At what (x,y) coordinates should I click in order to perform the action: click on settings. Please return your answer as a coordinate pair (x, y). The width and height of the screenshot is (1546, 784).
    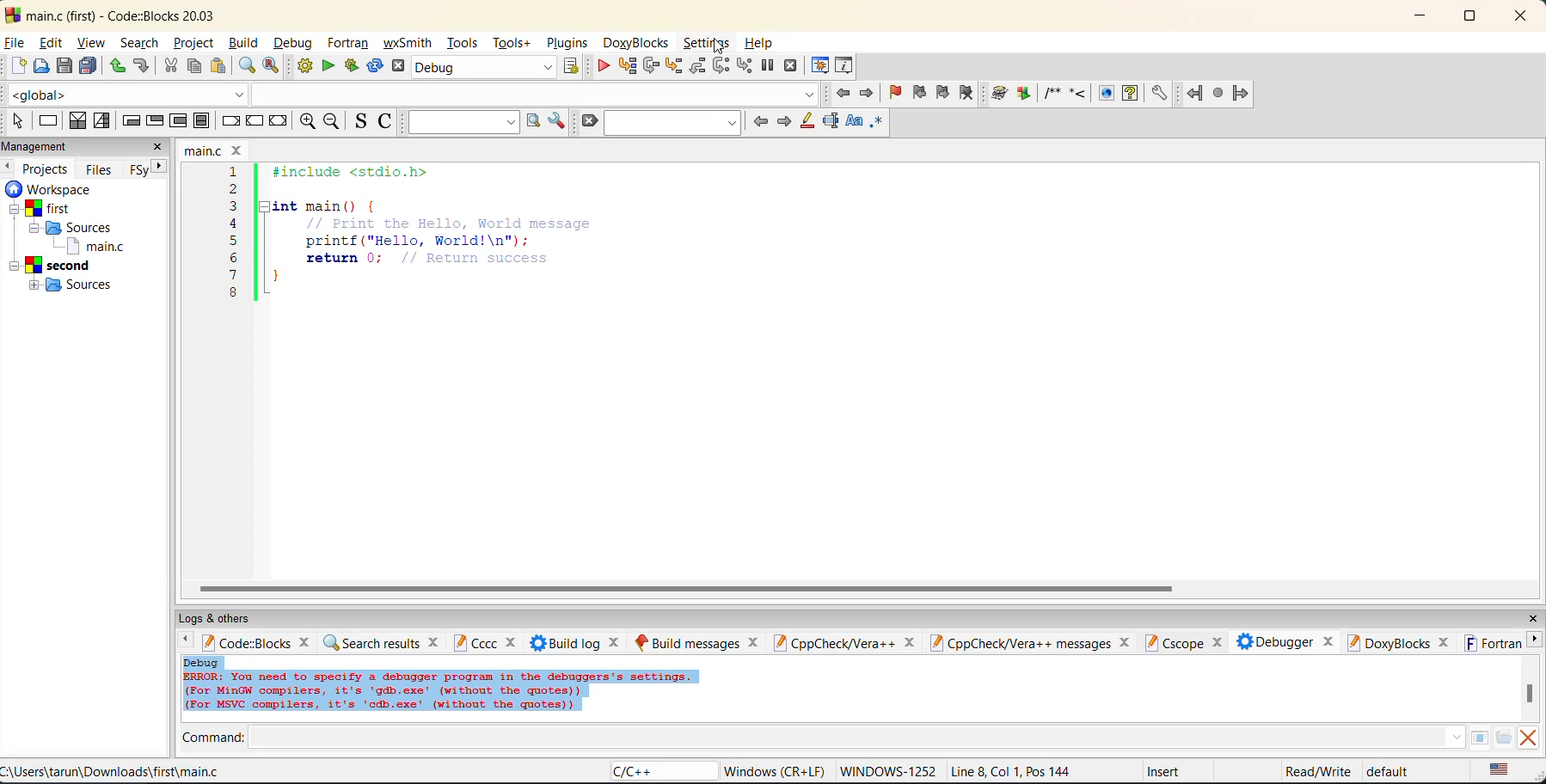
    Looking at the image, I should click on (709, 43).